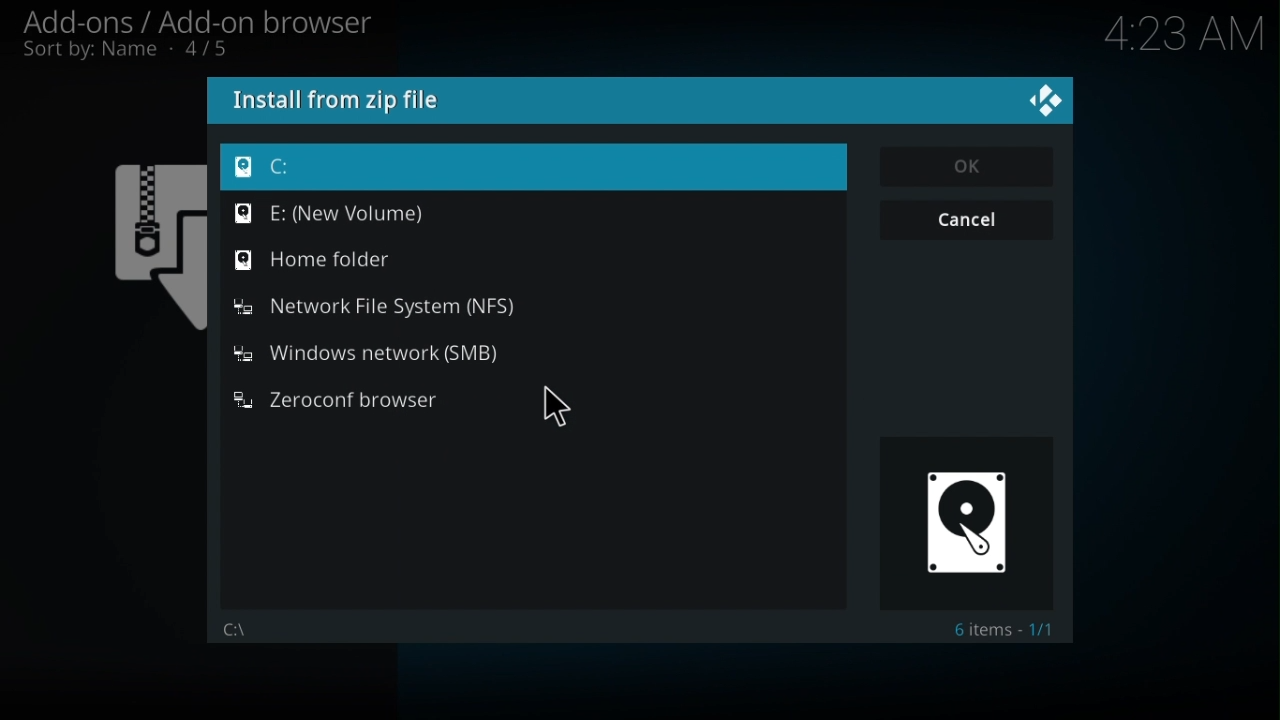 The height and width of the screenshot is (720, 1280). Describe the element at coordinates (1191, 34) in the screenshot. I see `time` at that location.